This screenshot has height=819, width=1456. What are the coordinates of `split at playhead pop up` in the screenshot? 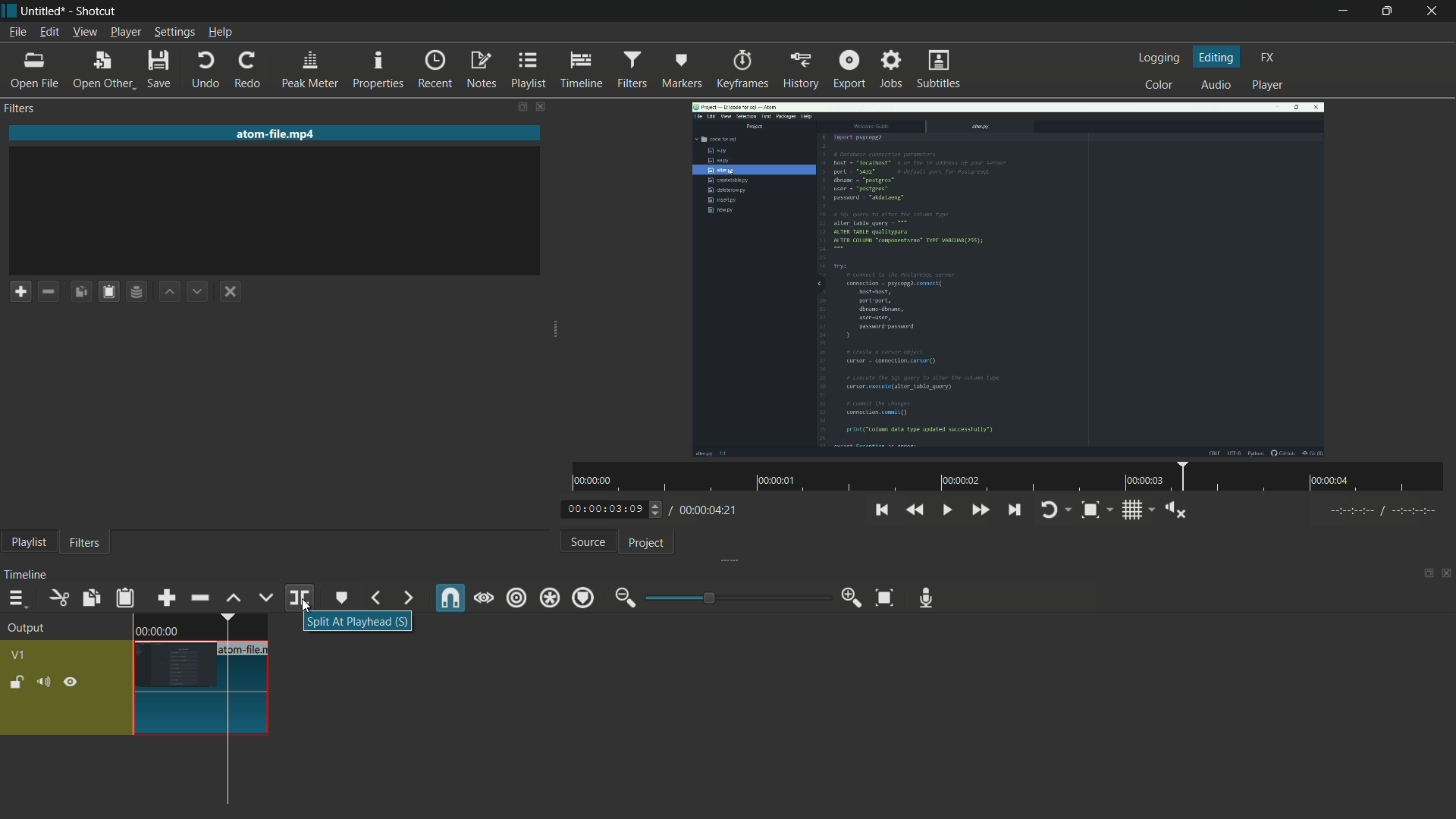 It's located at (357, 623).